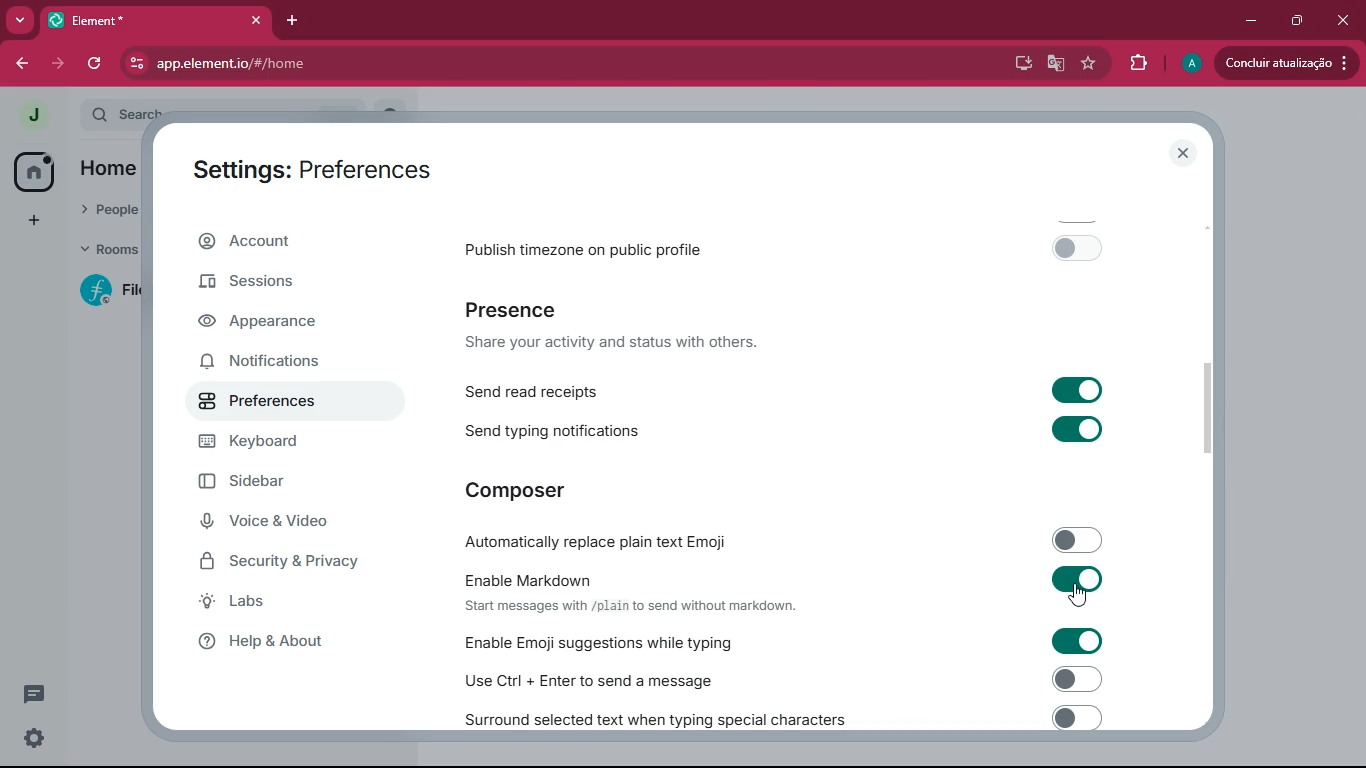 This screenshot has height=768, width=1366. Describe the element at coordinates (281, 642) in the screenshot. I see `help` at that location.